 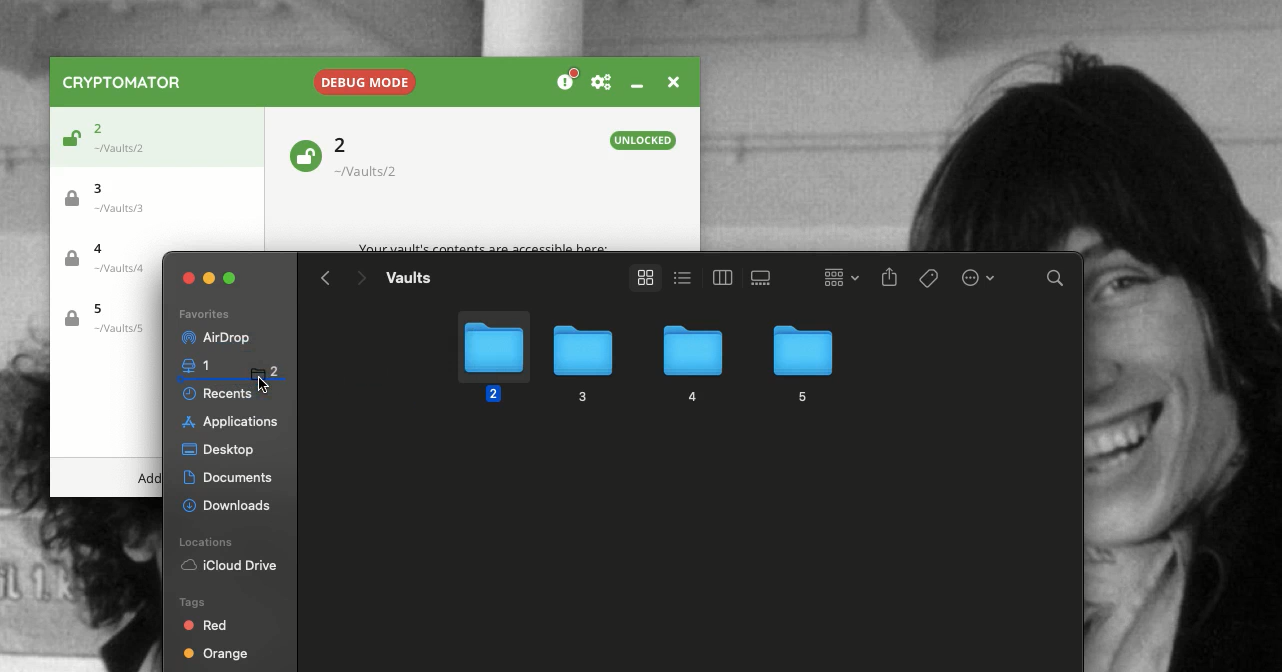 What do you see at coordinates (801, 361) in the screenshot?
I see `5` at bounding box center [801, 361].